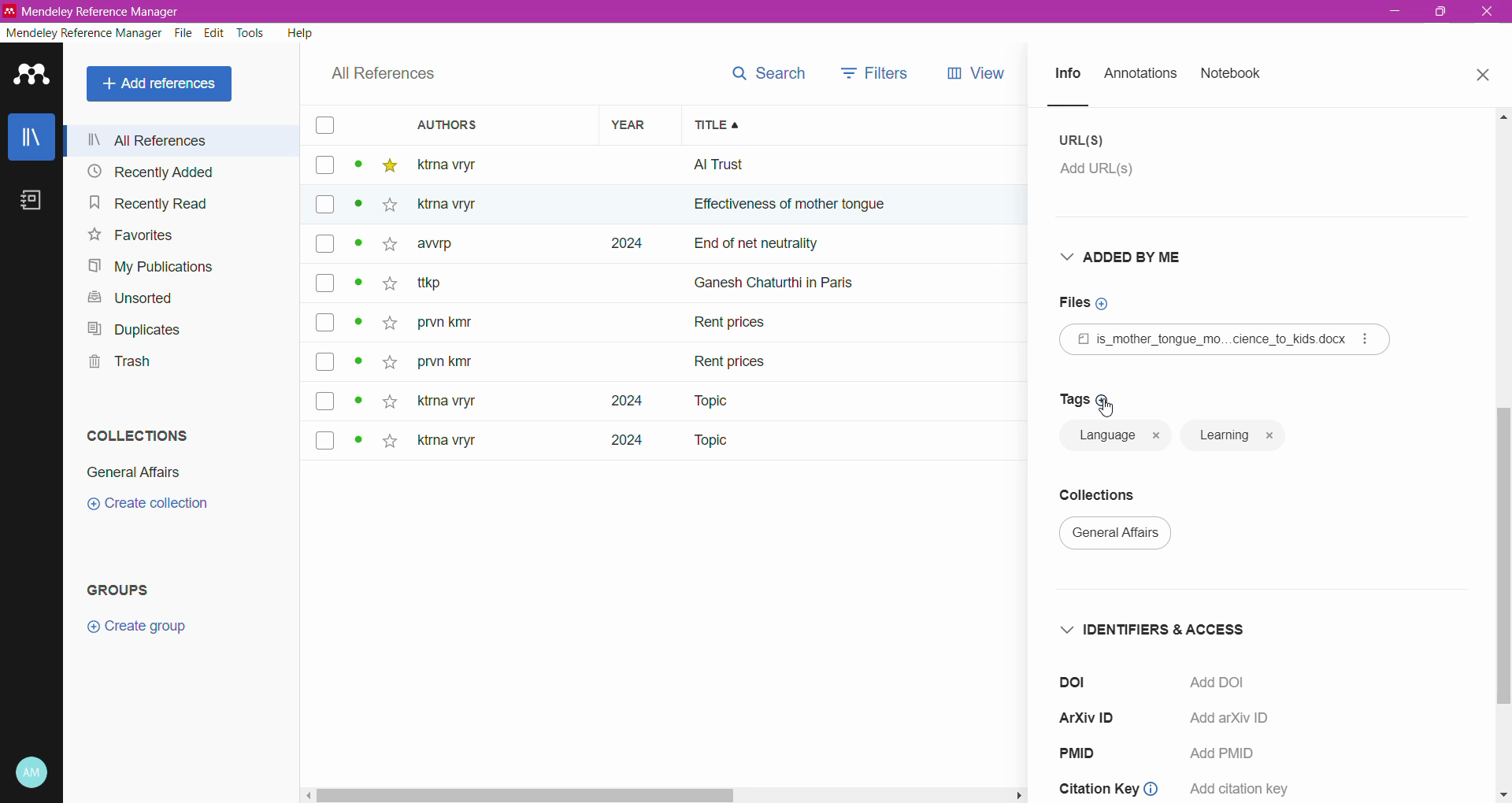  Describe the element at coordinates (1092, 303) in the screenshot. I see `Click to add Files` at that location.